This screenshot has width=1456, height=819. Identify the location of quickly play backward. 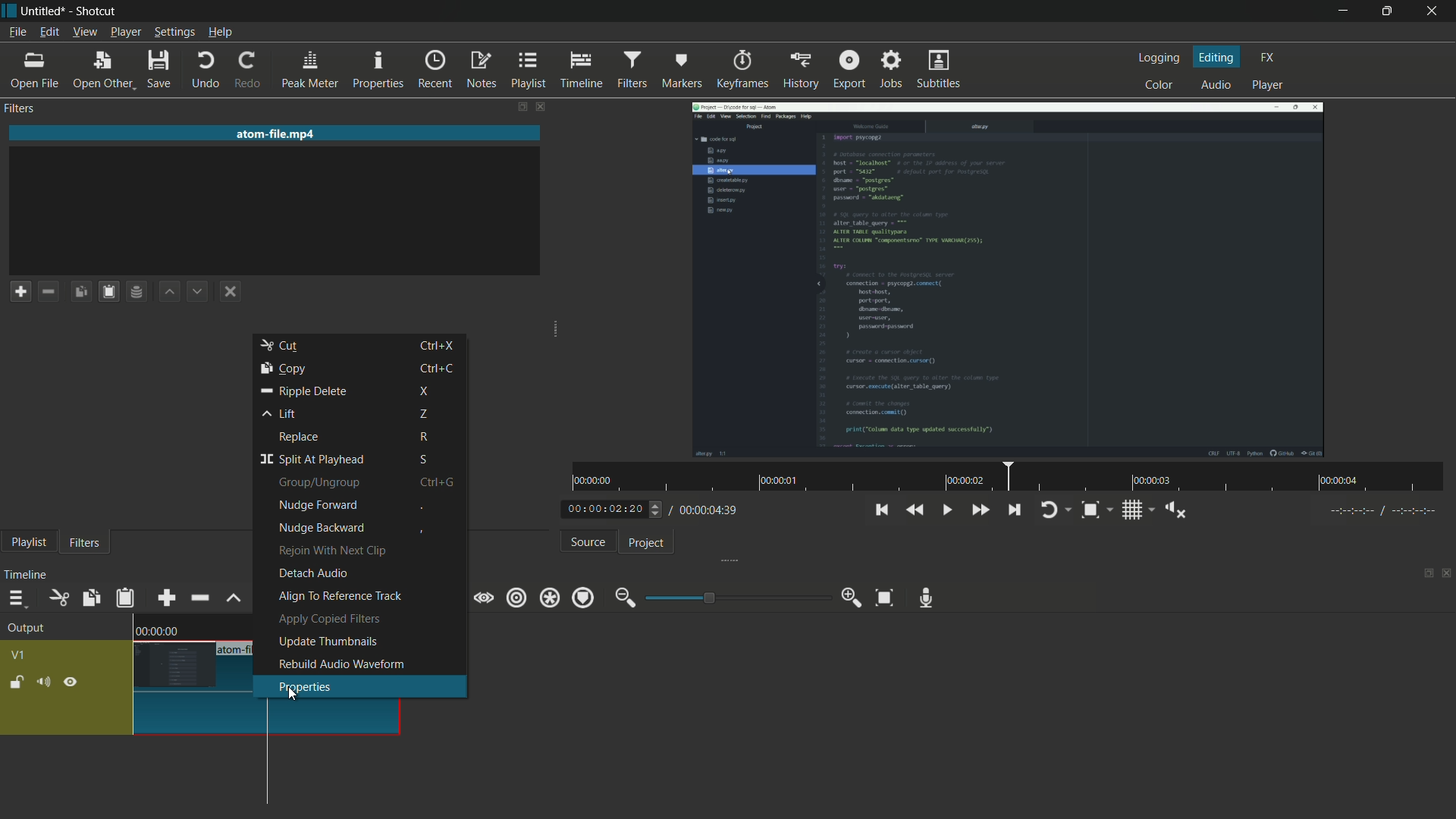
(915, 510).